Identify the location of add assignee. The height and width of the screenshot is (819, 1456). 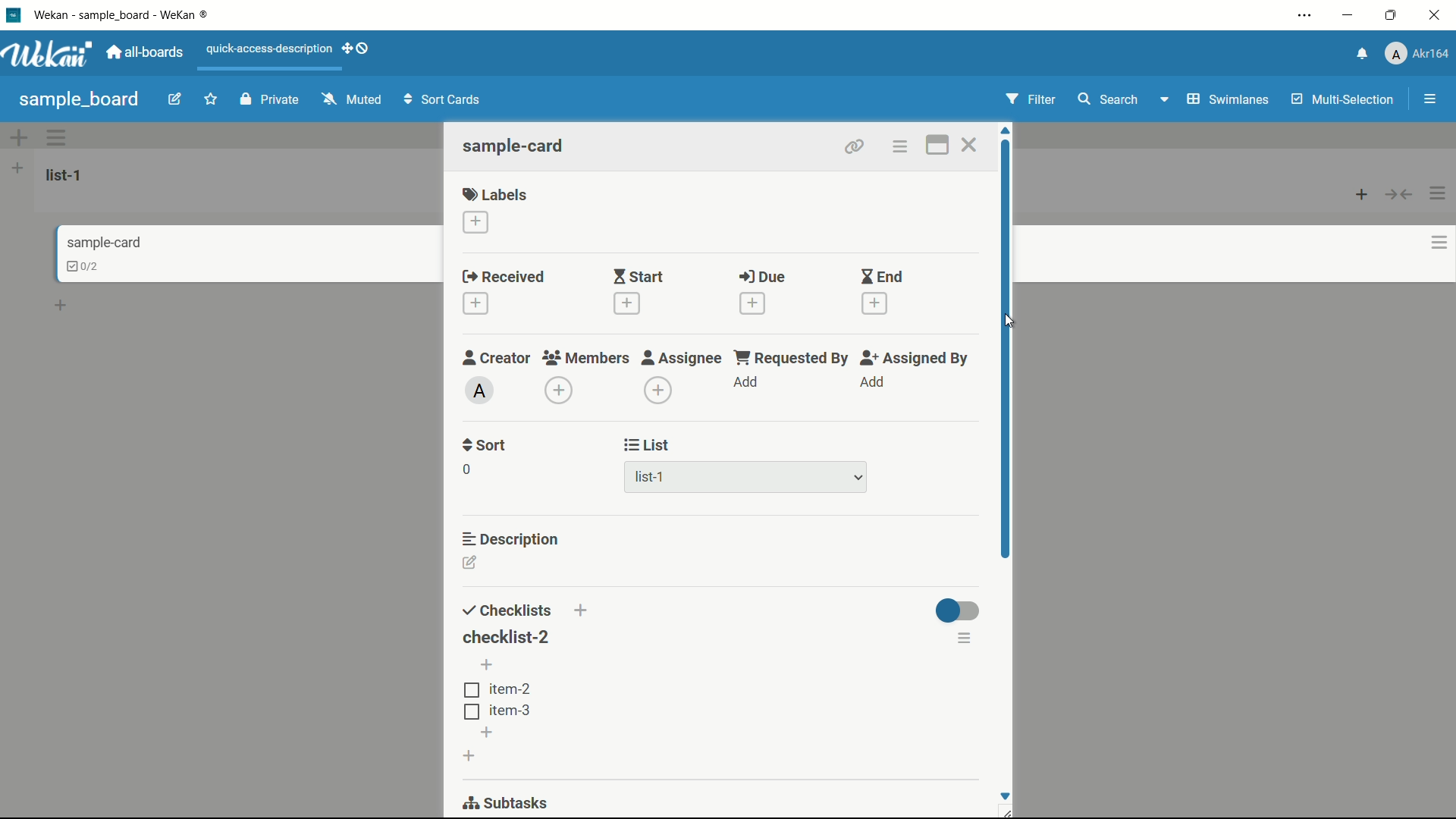
(659, 390).